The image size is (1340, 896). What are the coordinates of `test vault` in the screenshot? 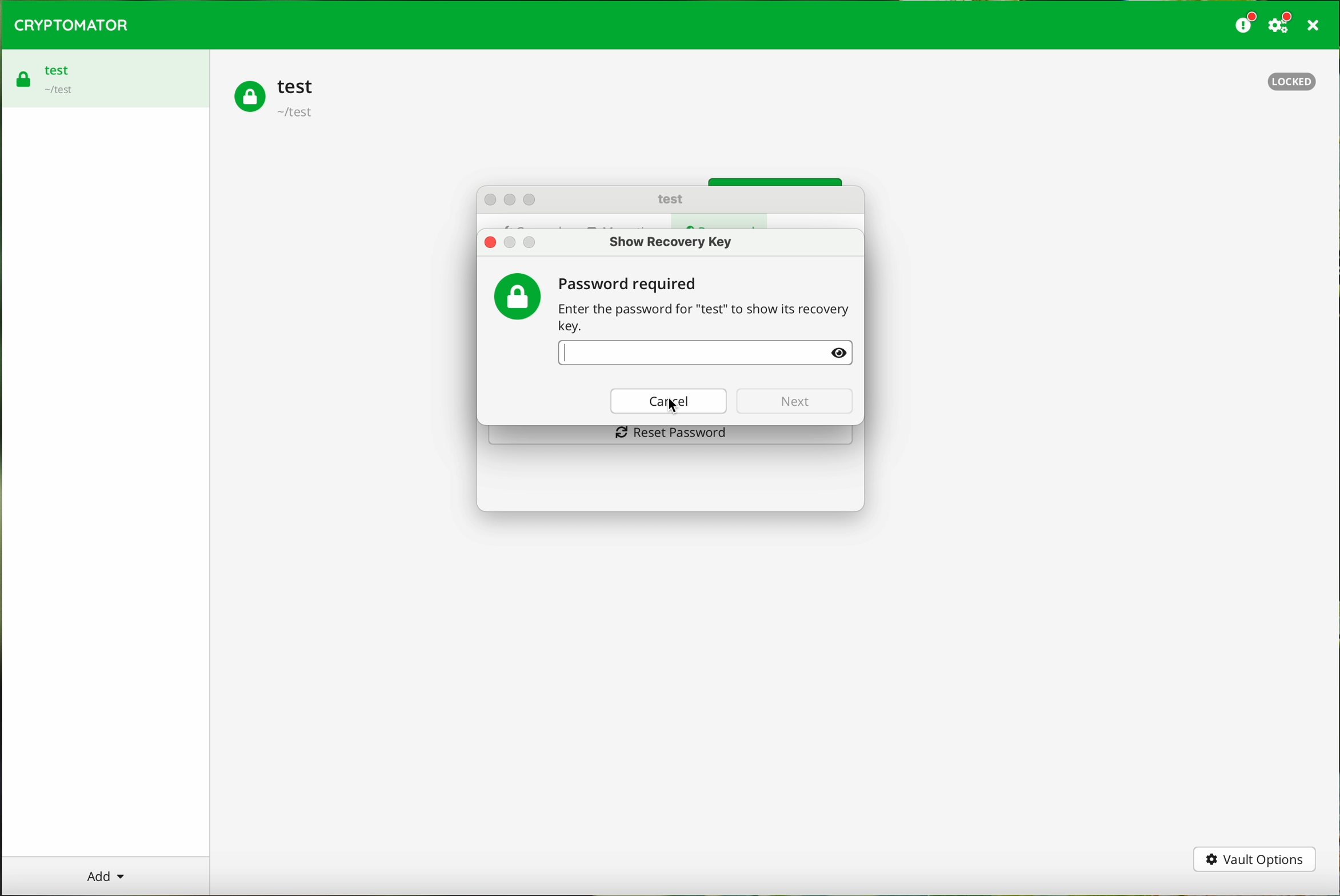 It's located at (49, 75).